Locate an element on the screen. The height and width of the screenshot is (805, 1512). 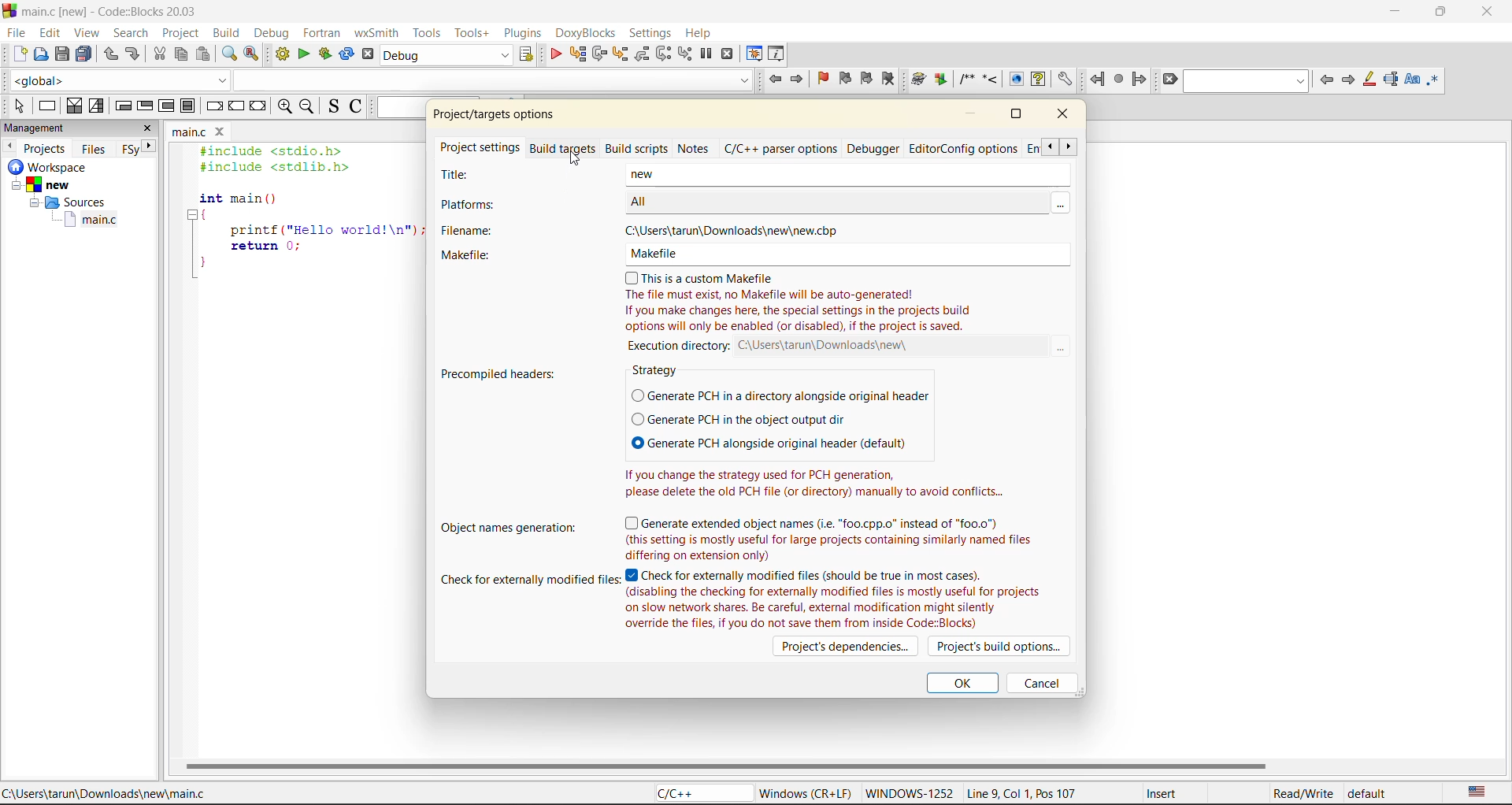
jump back is located at coordinates (774, 80).